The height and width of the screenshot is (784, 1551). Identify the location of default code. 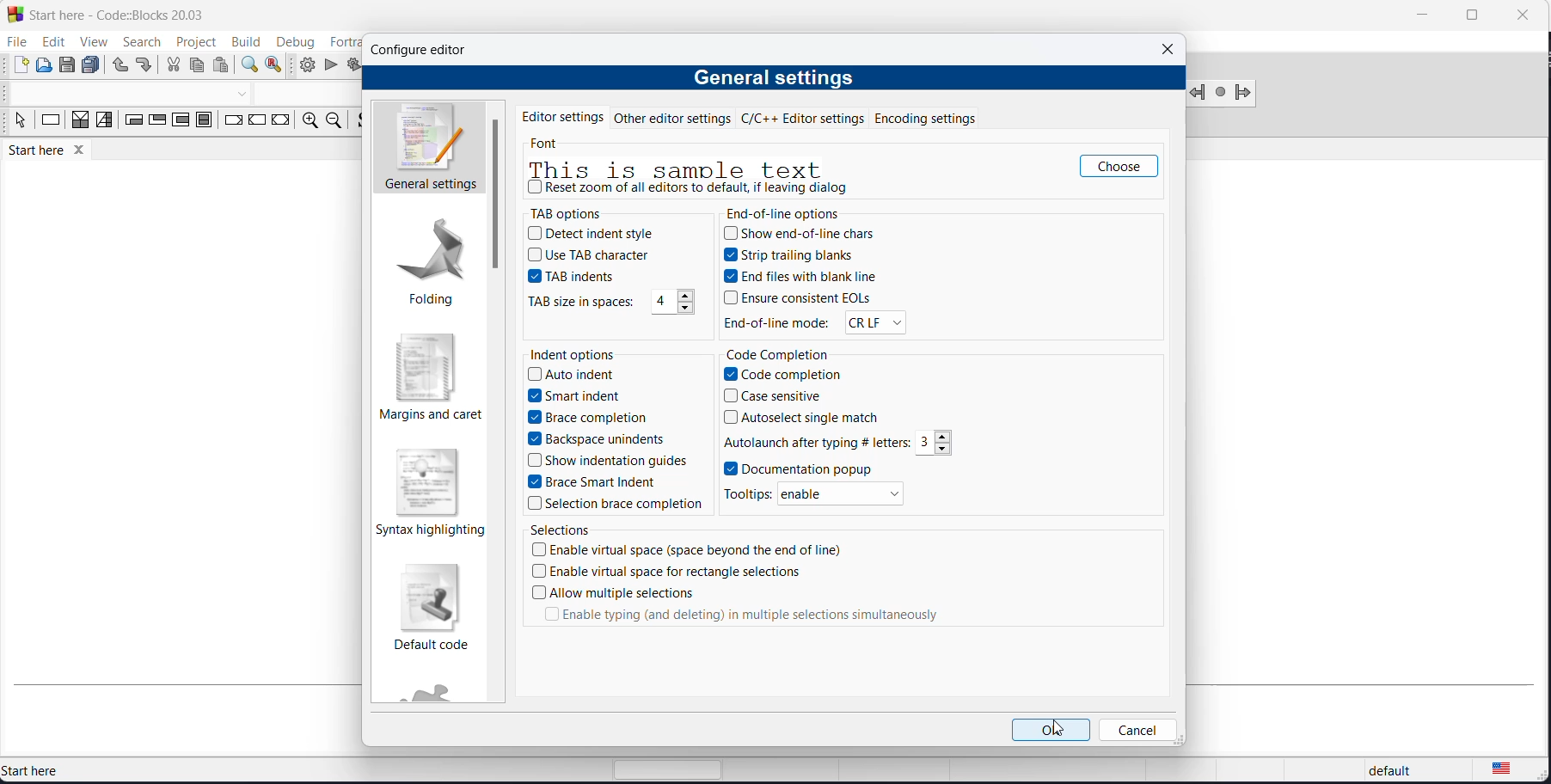
(435, 606).